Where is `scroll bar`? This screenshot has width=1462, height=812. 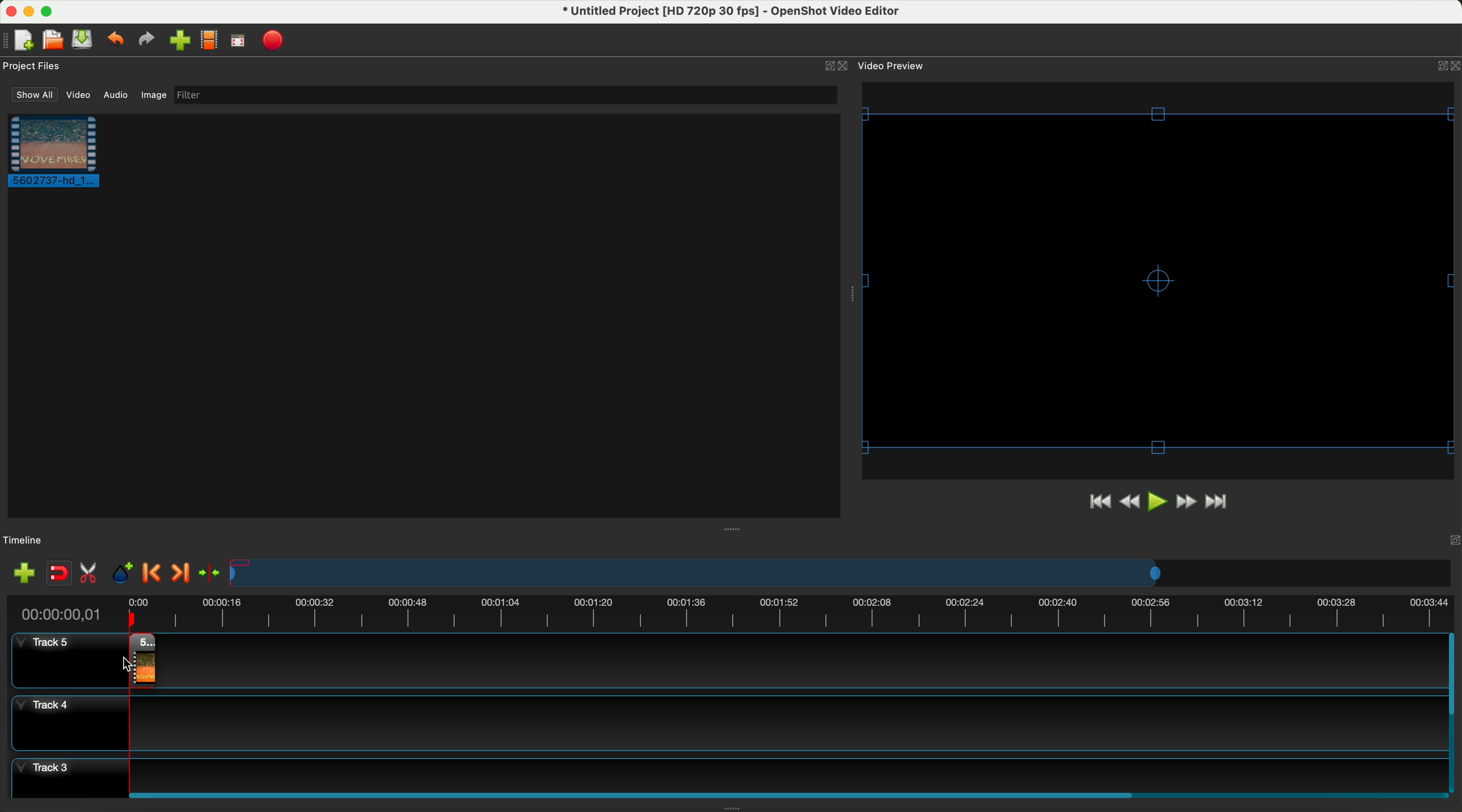
scroll bar is located at coordinates (785, 793).